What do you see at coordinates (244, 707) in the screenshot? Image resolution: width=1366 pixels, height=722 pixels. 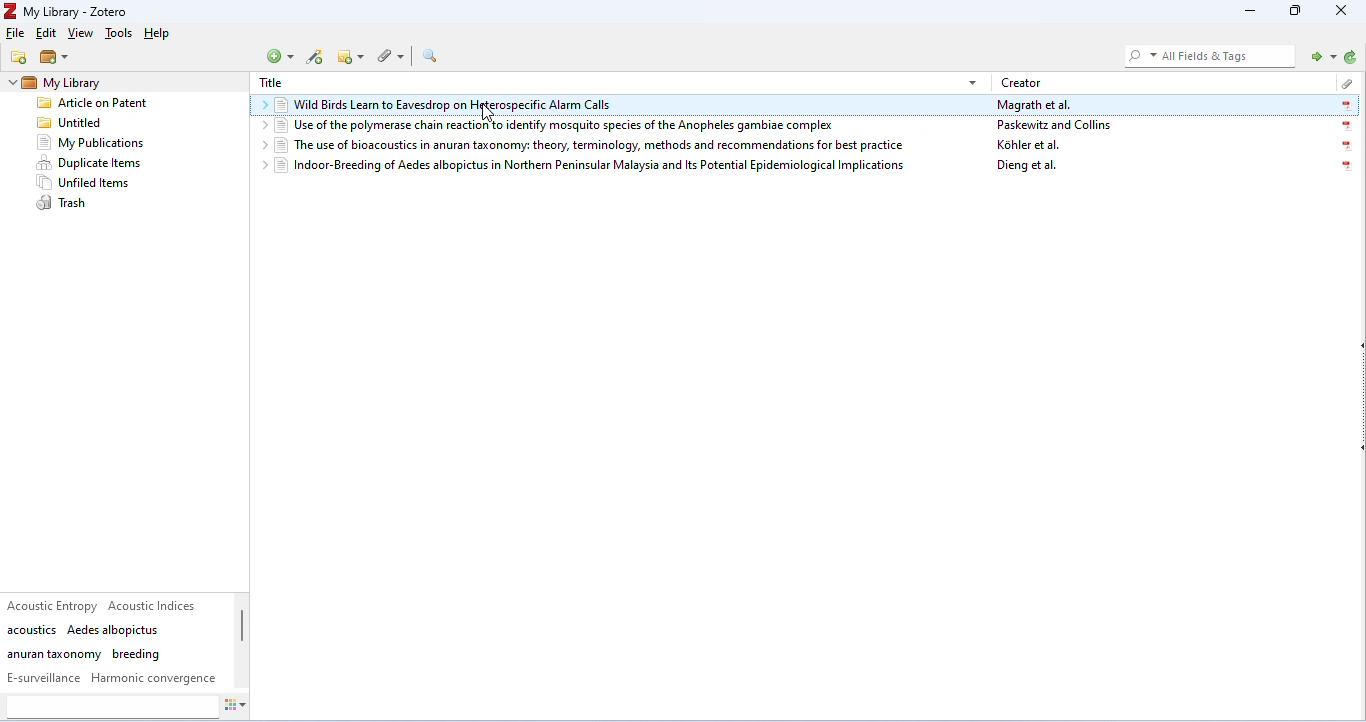 I see `actions` at bounding box center [244, 707].